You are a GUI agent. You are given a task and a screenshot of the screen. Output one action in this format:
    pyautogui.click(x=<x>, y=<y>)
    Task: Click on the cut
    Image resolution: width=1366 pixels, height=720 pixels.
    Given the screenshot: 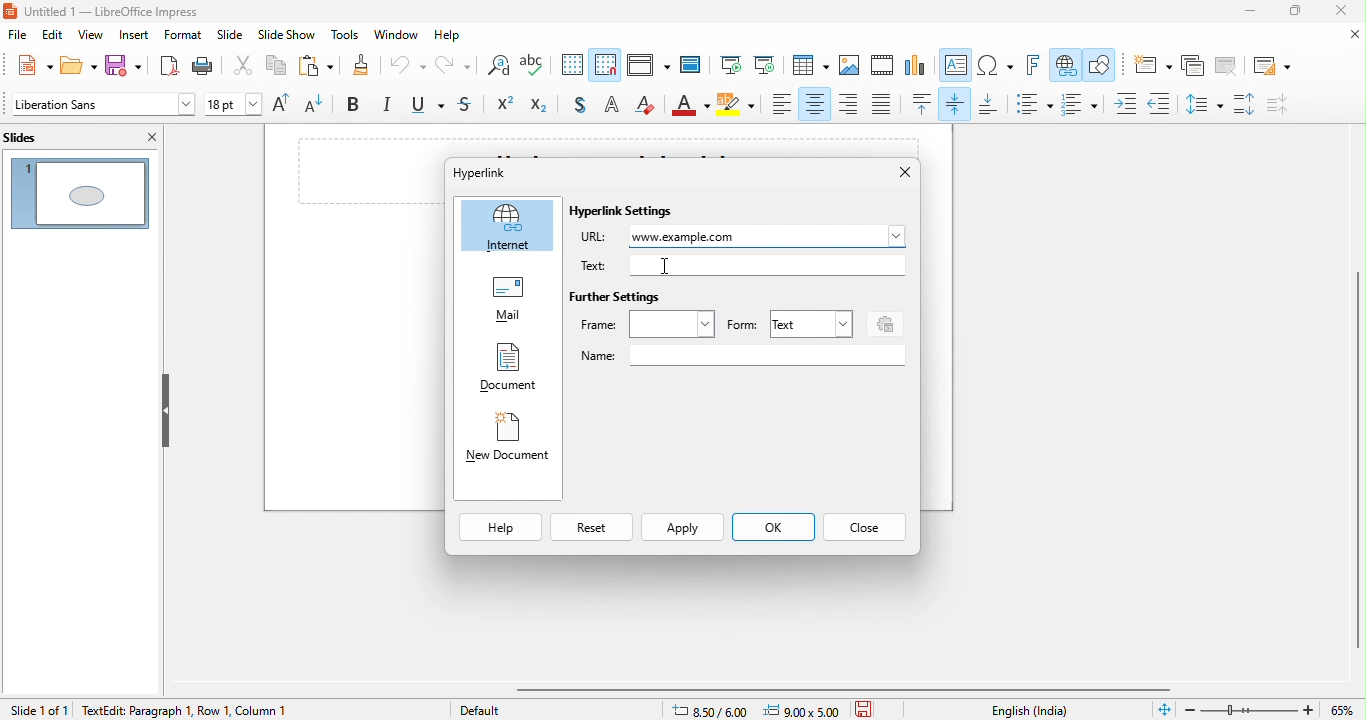 What is the action you would take?
    pyautogui.click(x=244, y=69)
    